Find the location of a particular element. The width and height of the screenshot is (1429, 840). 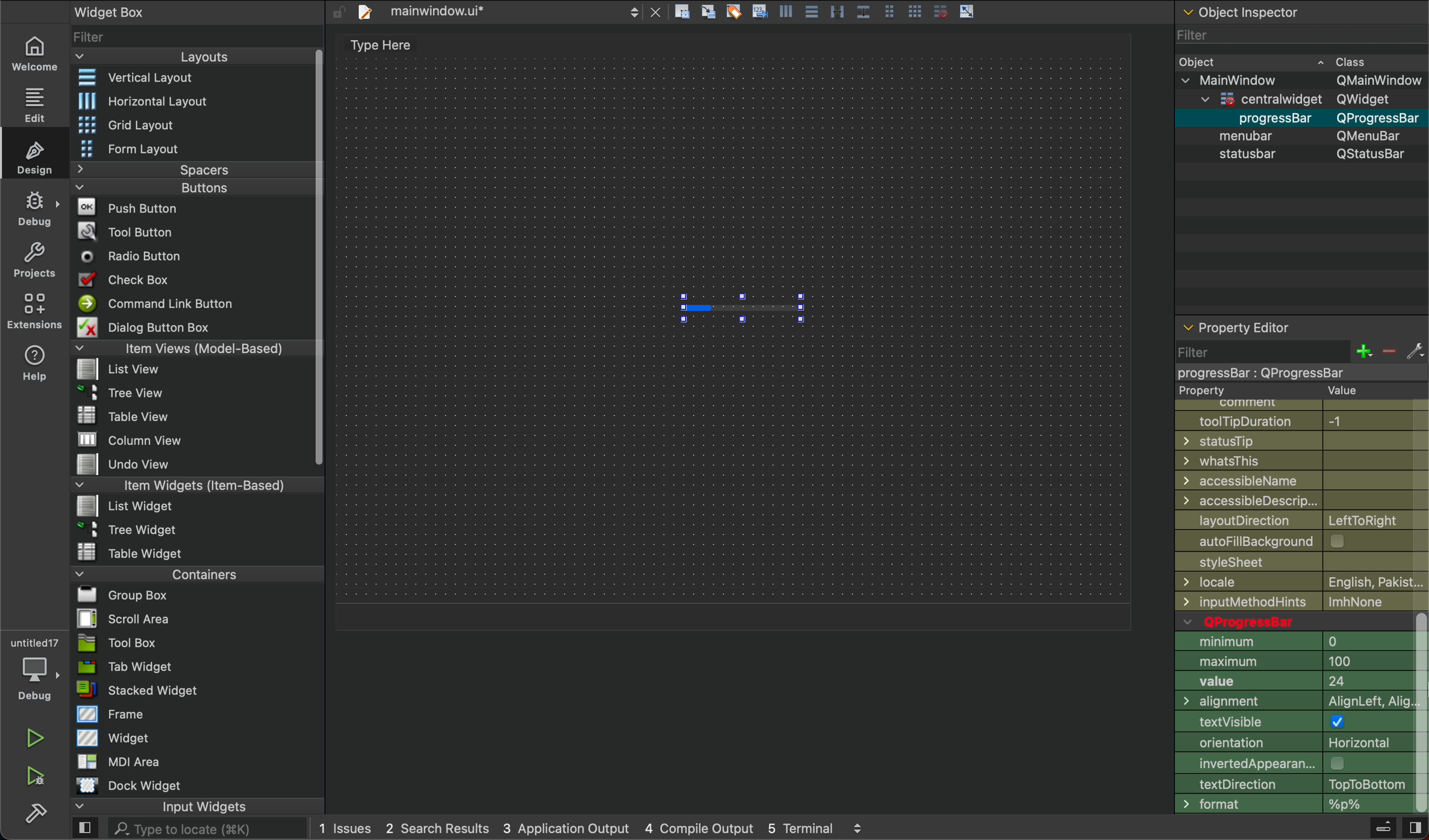

Build is located at coordinates (1382, 829).